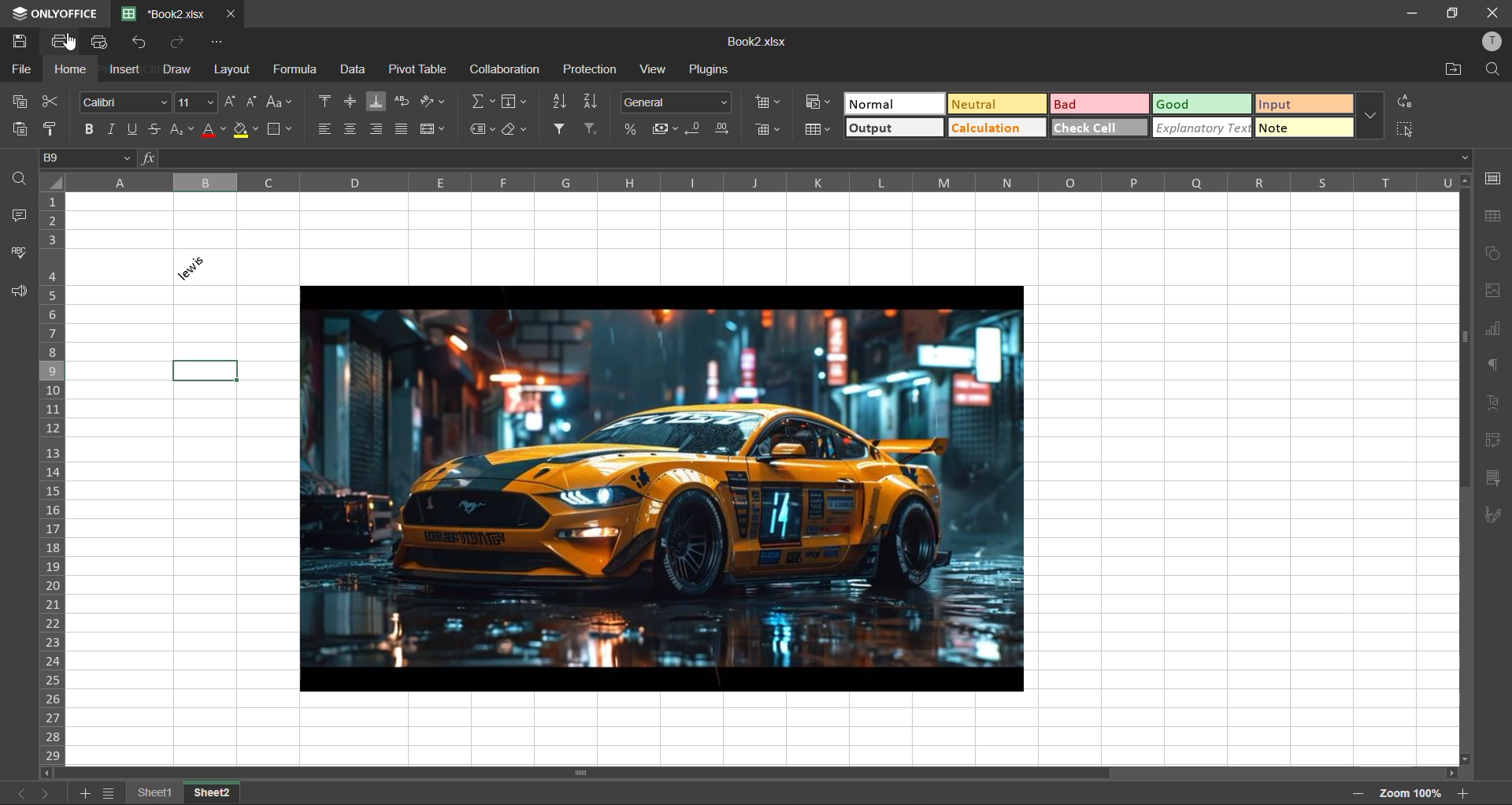 This screenshot has height=805, width=1512. What do you see at coordinates (376, 102) in the screenshot?
I see `align bottom` at bounding box center [376, 102].